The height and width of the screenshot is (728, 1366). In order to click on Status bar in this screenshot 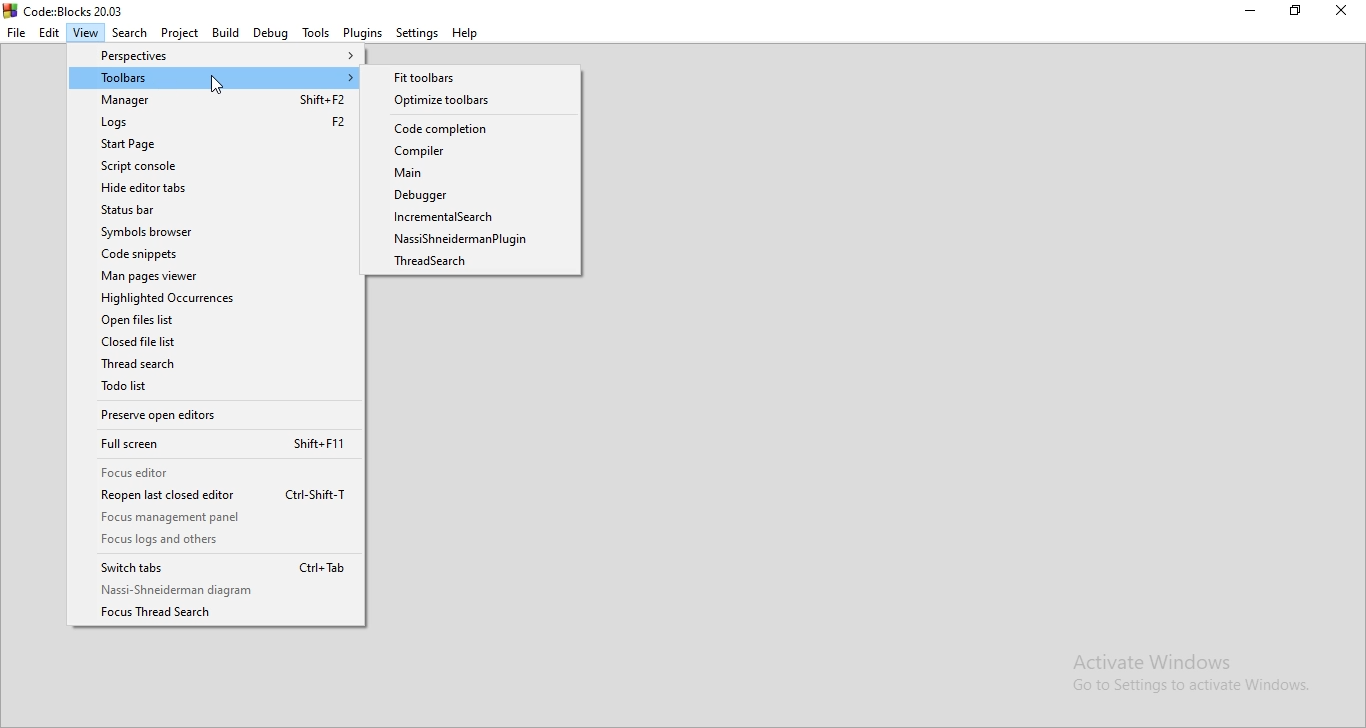, I will do `click(216, 208)`.